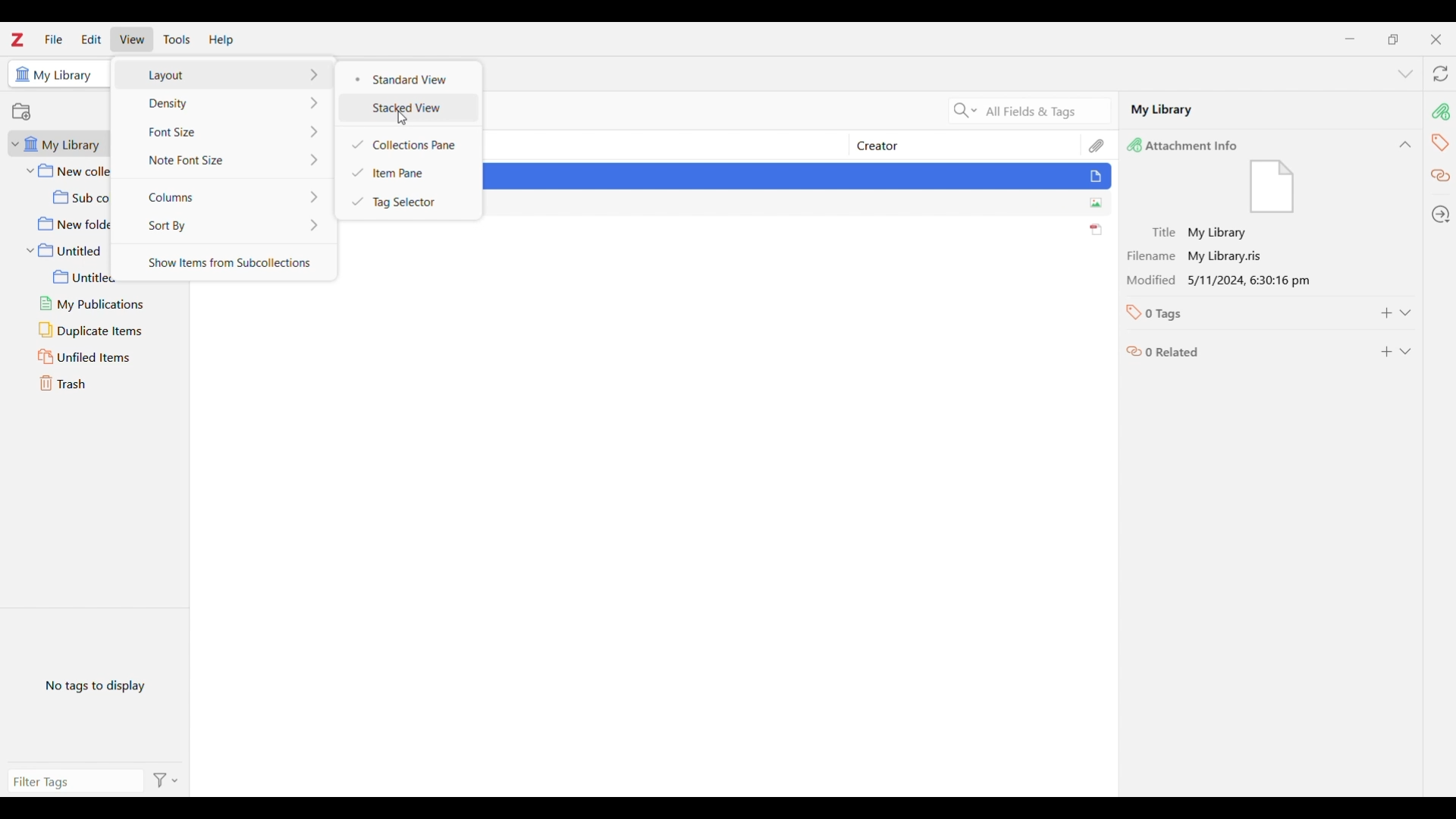 The height and width of the screenshot is (819, 1456). What do you see at coordinates (177, 39) in the screenshot?
I see `Tools menu` at bounding box center [177, 39].